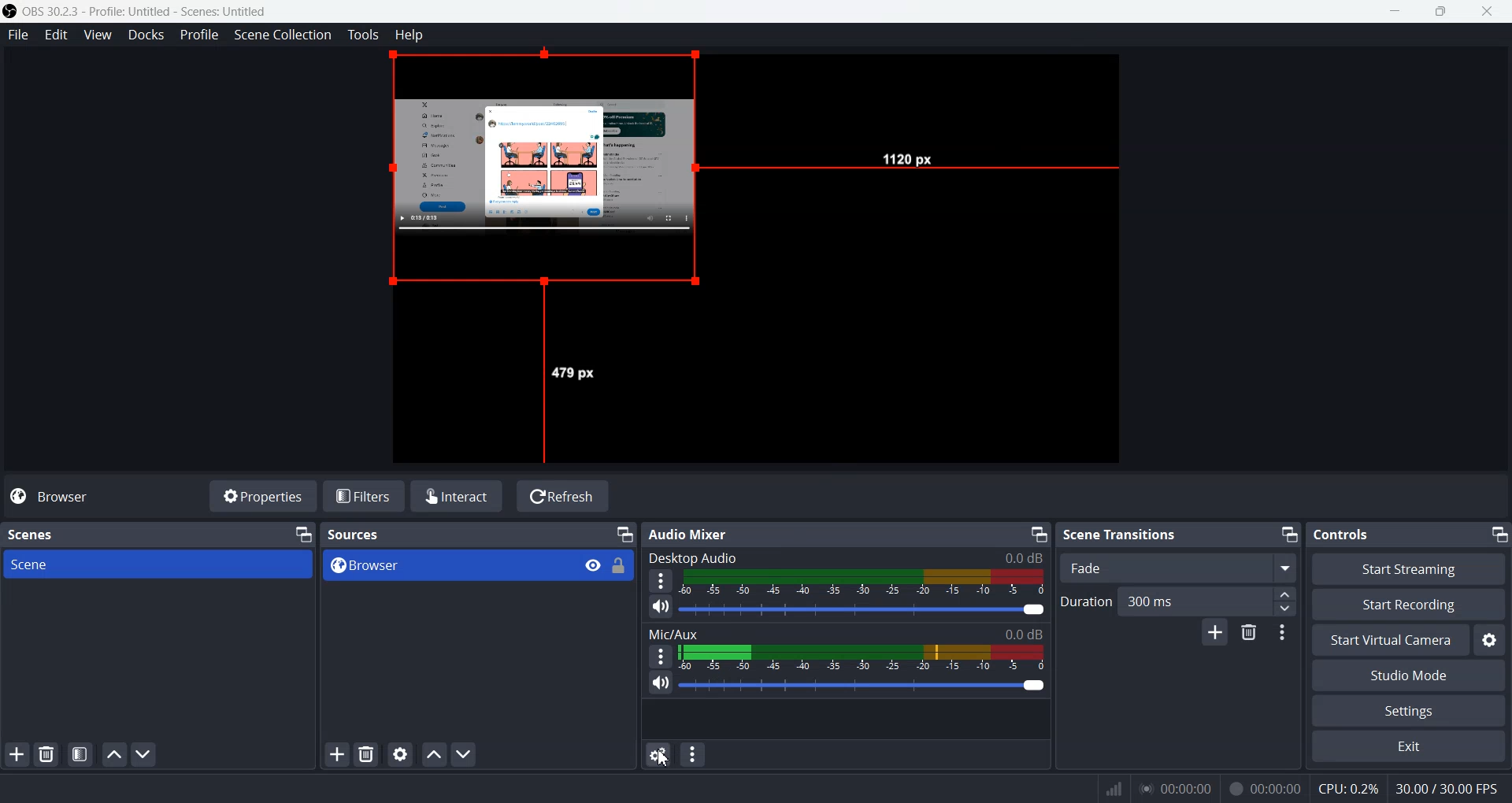 The image size is (1512, 803). I want to click on Volume Indicator, so click(862, 657).